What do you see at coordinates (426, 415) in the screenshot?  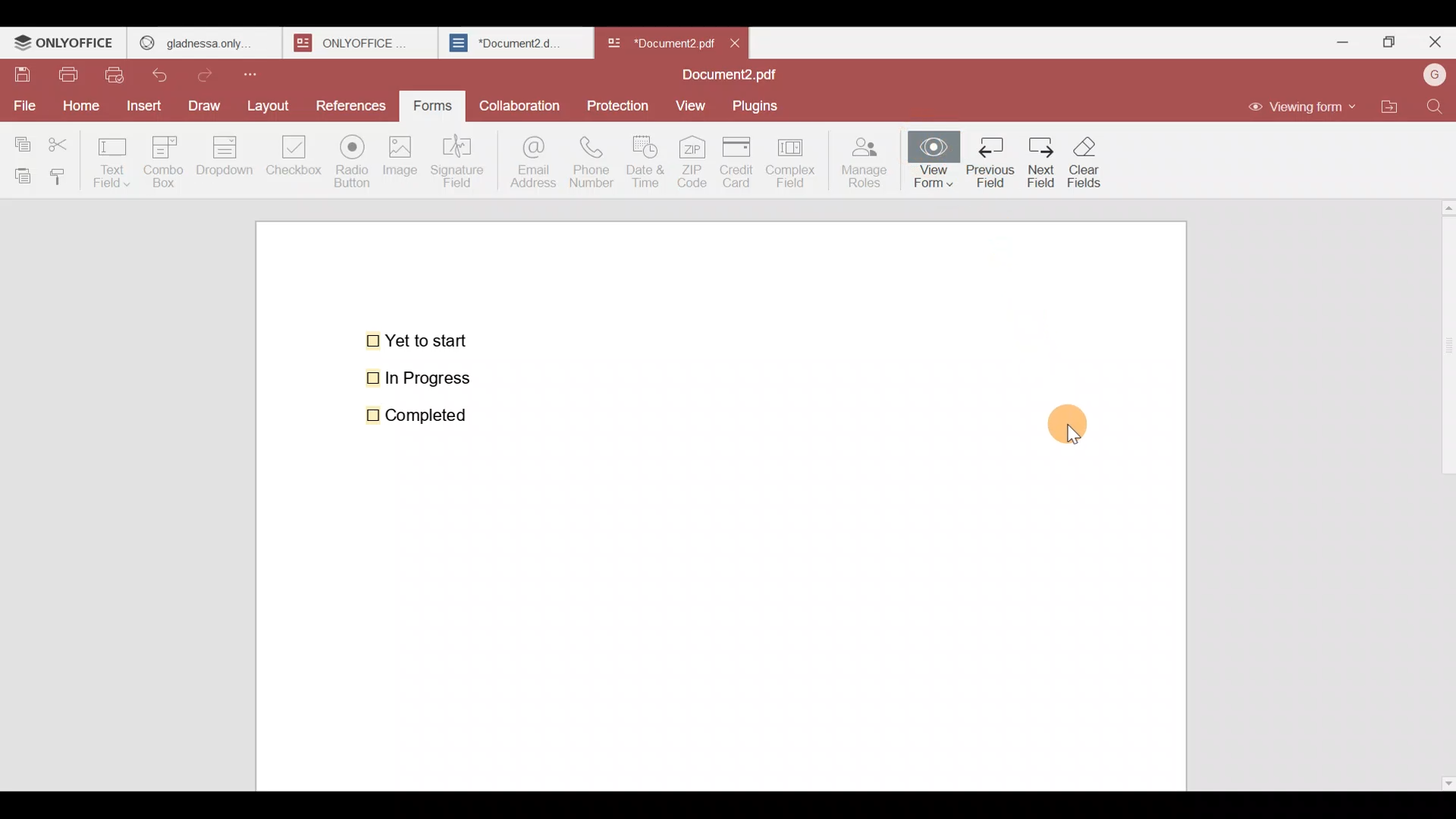 I see `Completed` at bounding box center [426, 415].